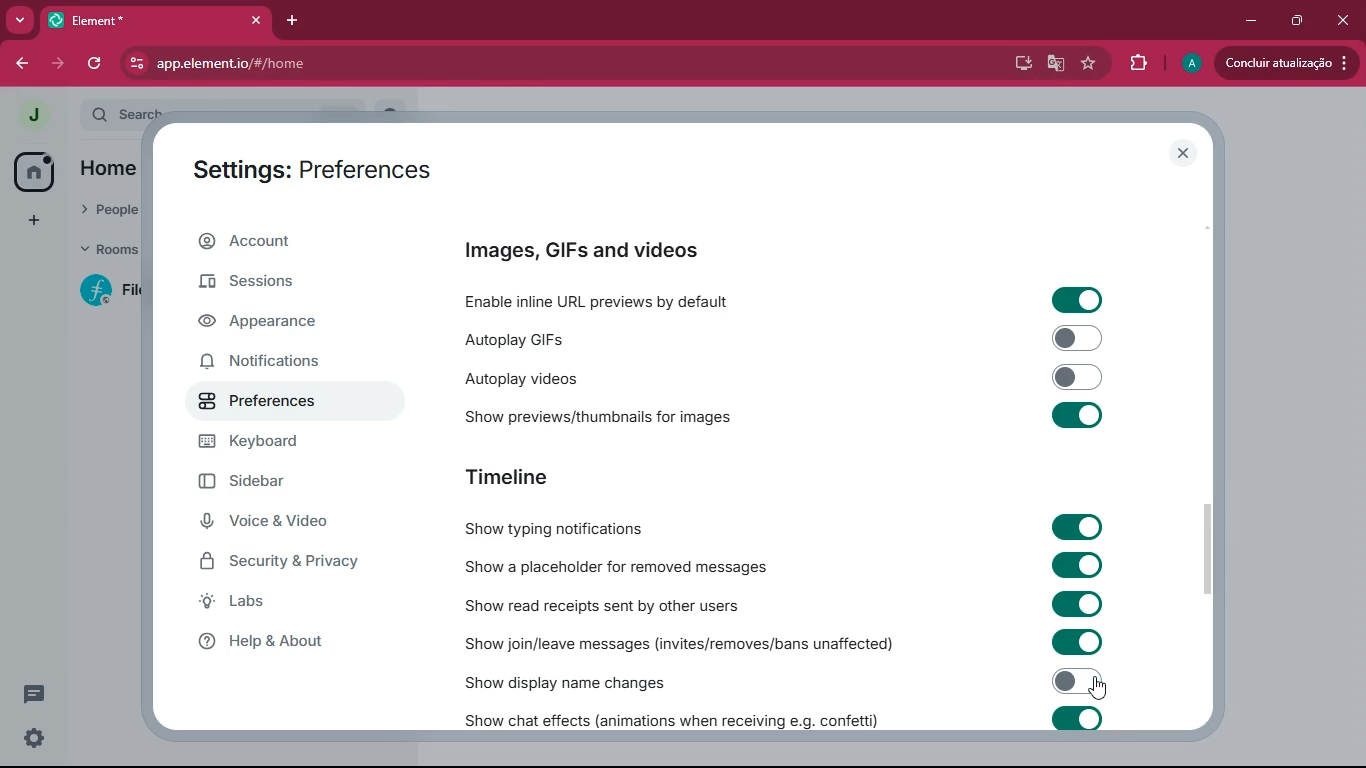 This screenshot has width=1366, height=768. I want to click on show join / leave messages (invites/removes/bans unaffected), so click(676, 643).